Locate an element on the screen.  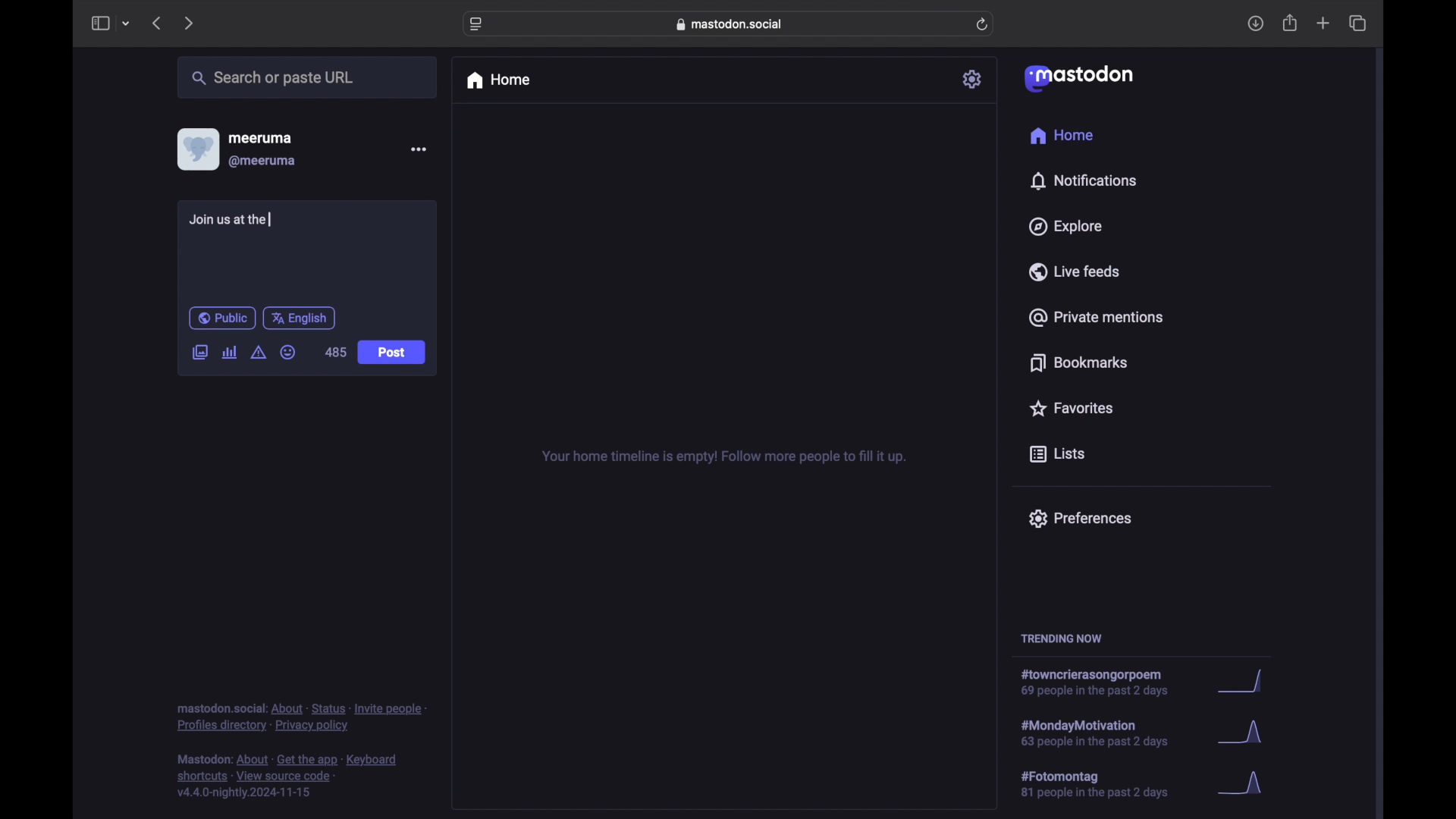
favorites is located at coordinates (1070, 408).